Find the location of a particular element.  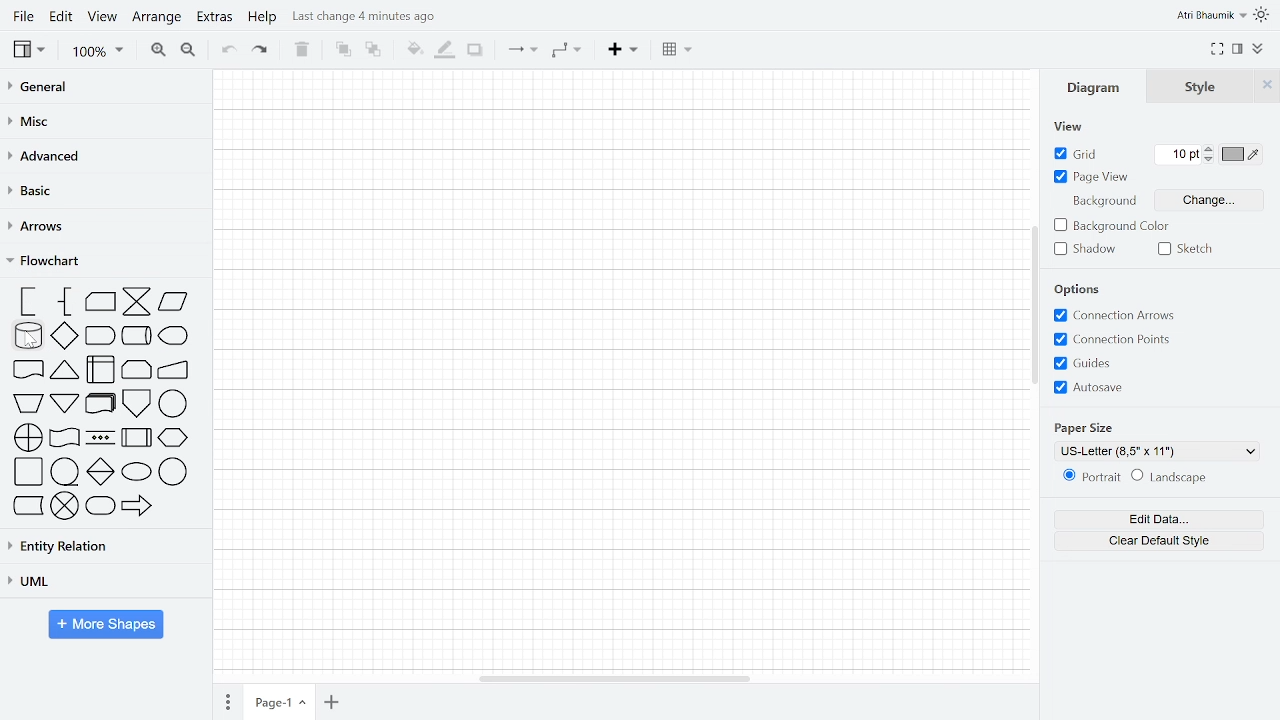

BAckground color is located at coordinates (1110, 226).